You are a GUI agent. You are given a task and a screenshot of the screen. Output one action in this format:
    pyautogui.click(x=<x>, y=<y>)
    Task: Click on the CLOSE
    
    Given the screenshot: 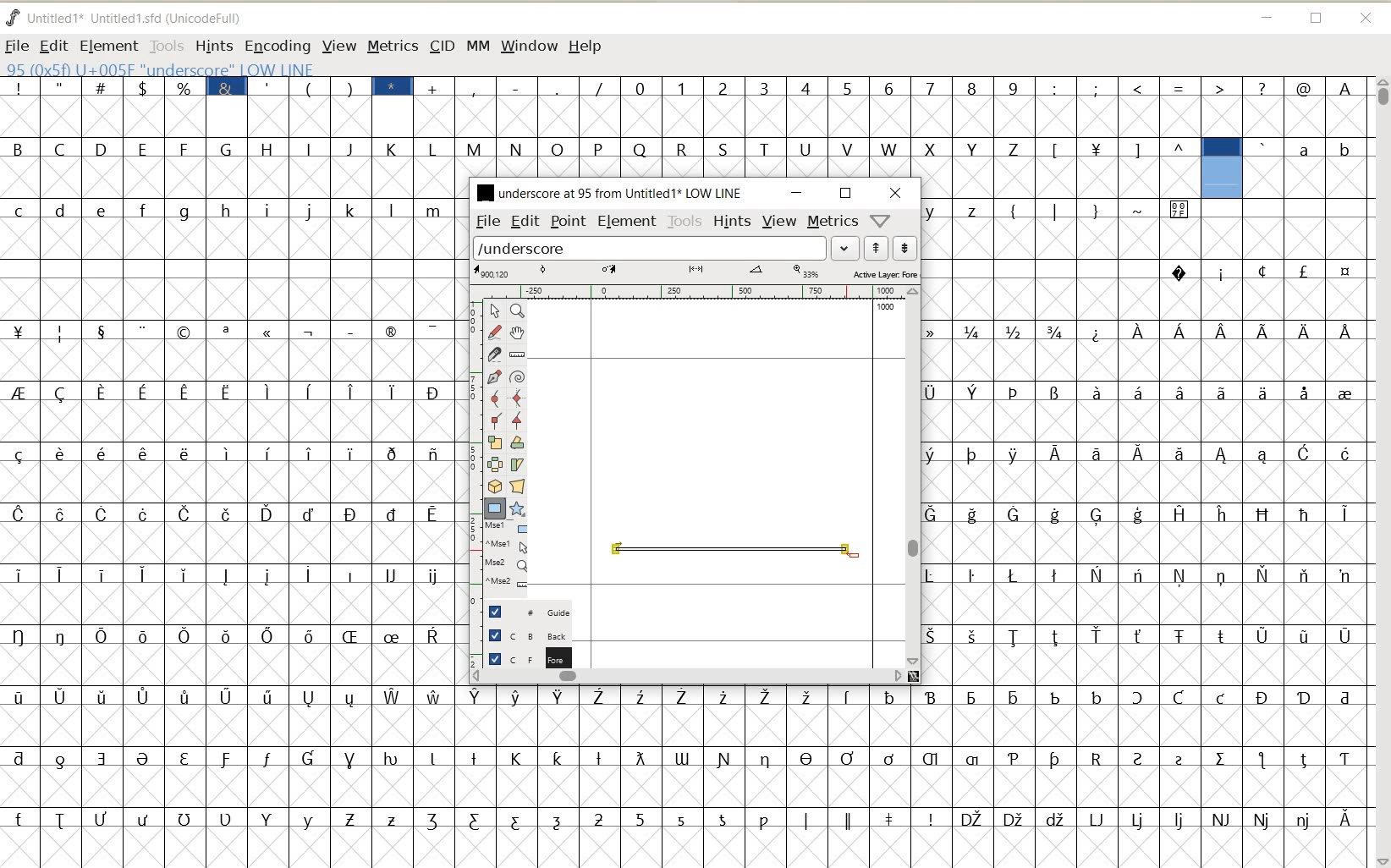 What is the action you would take?
    pyautogui.click(x=896, y=193)
    